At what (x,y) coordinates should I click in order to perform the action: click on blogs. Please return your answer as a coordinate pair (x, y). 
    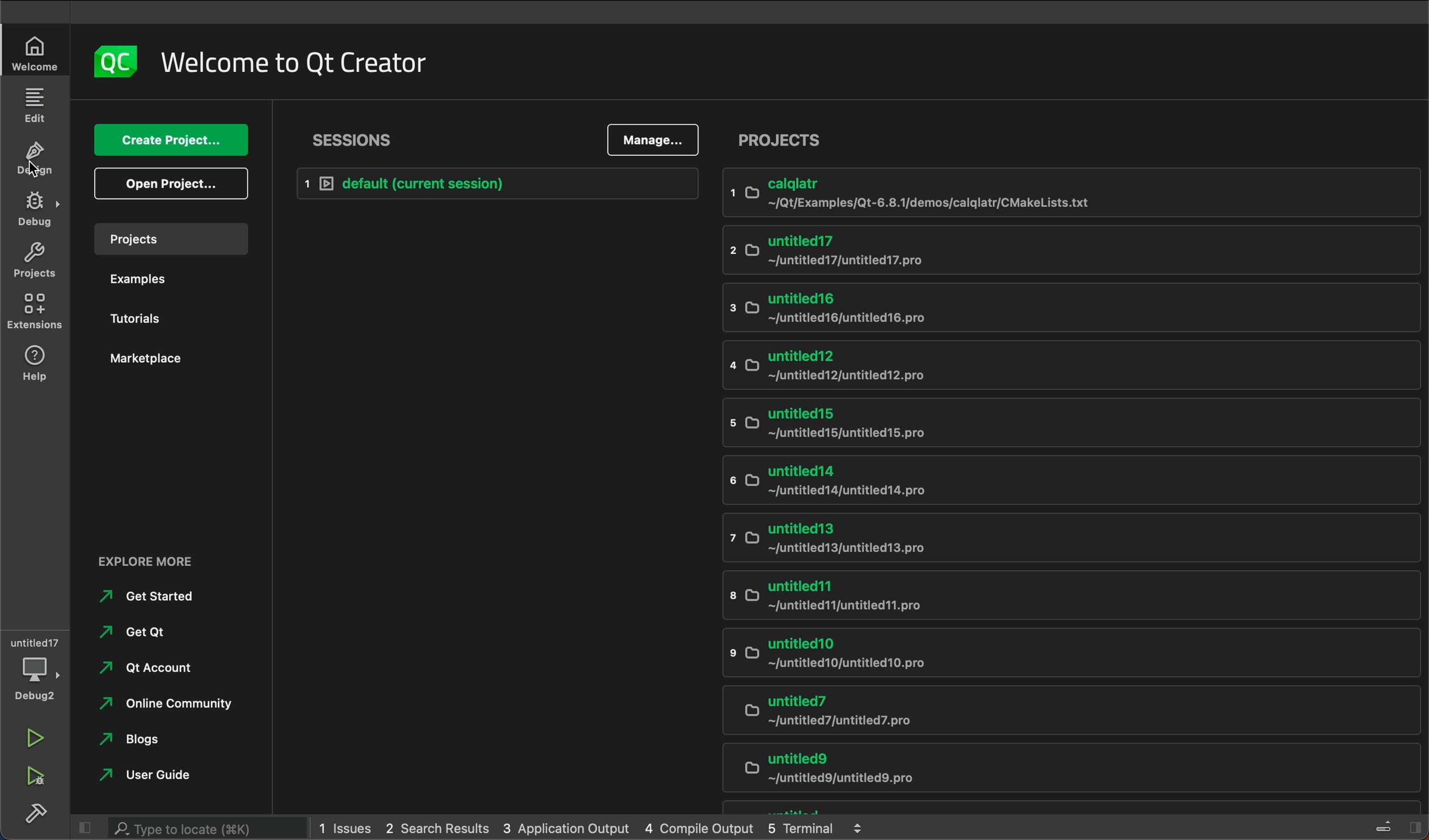
    Looking at the image, I should click on (122, 741).